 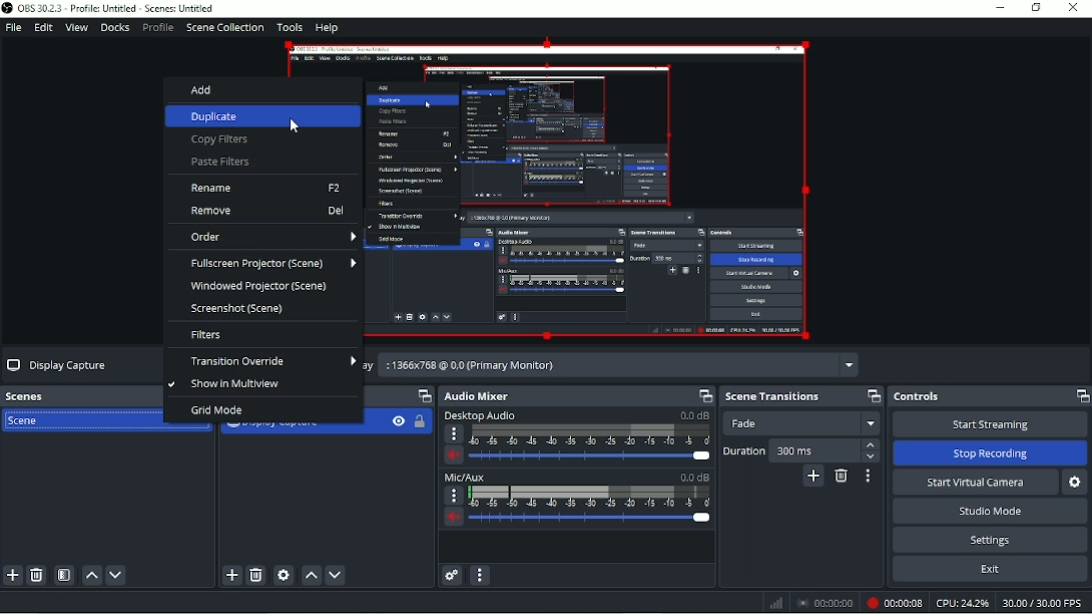 What do you see at coordinates (990, 571) in the screenshot?
I see `Exit` at bounding box center [990, 571].